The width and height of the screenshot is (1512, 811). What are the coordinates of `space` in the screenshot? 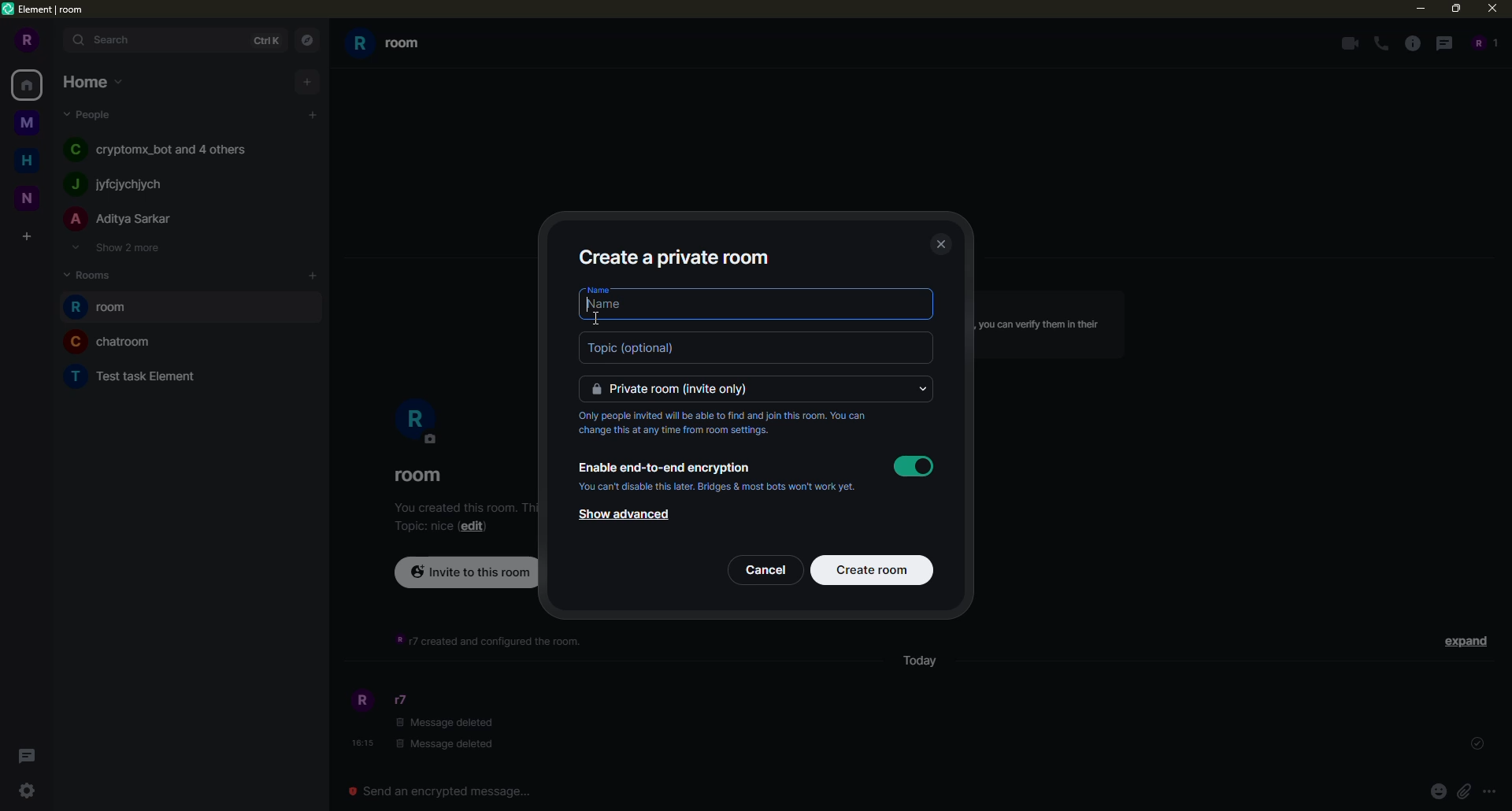 It's located at (29, 197).